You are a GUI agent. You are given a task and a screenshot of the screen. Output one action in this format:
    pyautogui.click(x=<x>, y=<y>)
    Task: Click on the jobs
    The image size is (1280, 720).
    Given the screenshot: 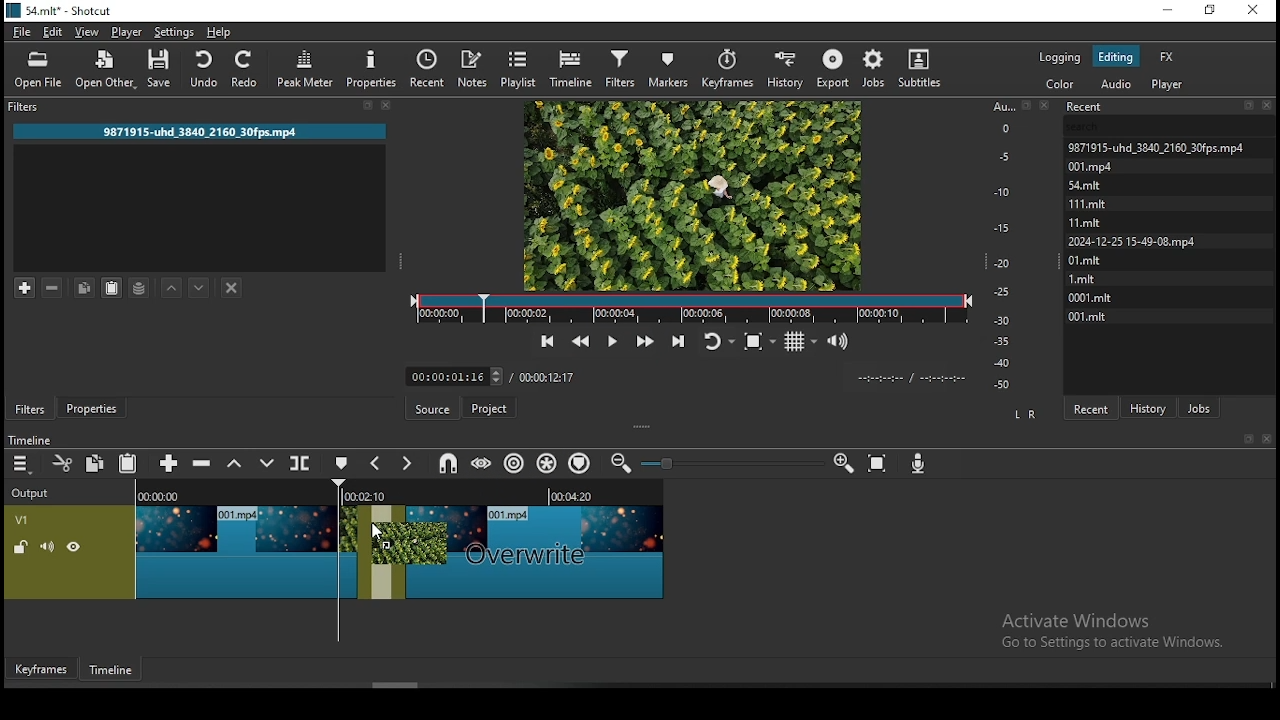 What is the action you would take?
    pyautogui.click(x=876, y=70)
    